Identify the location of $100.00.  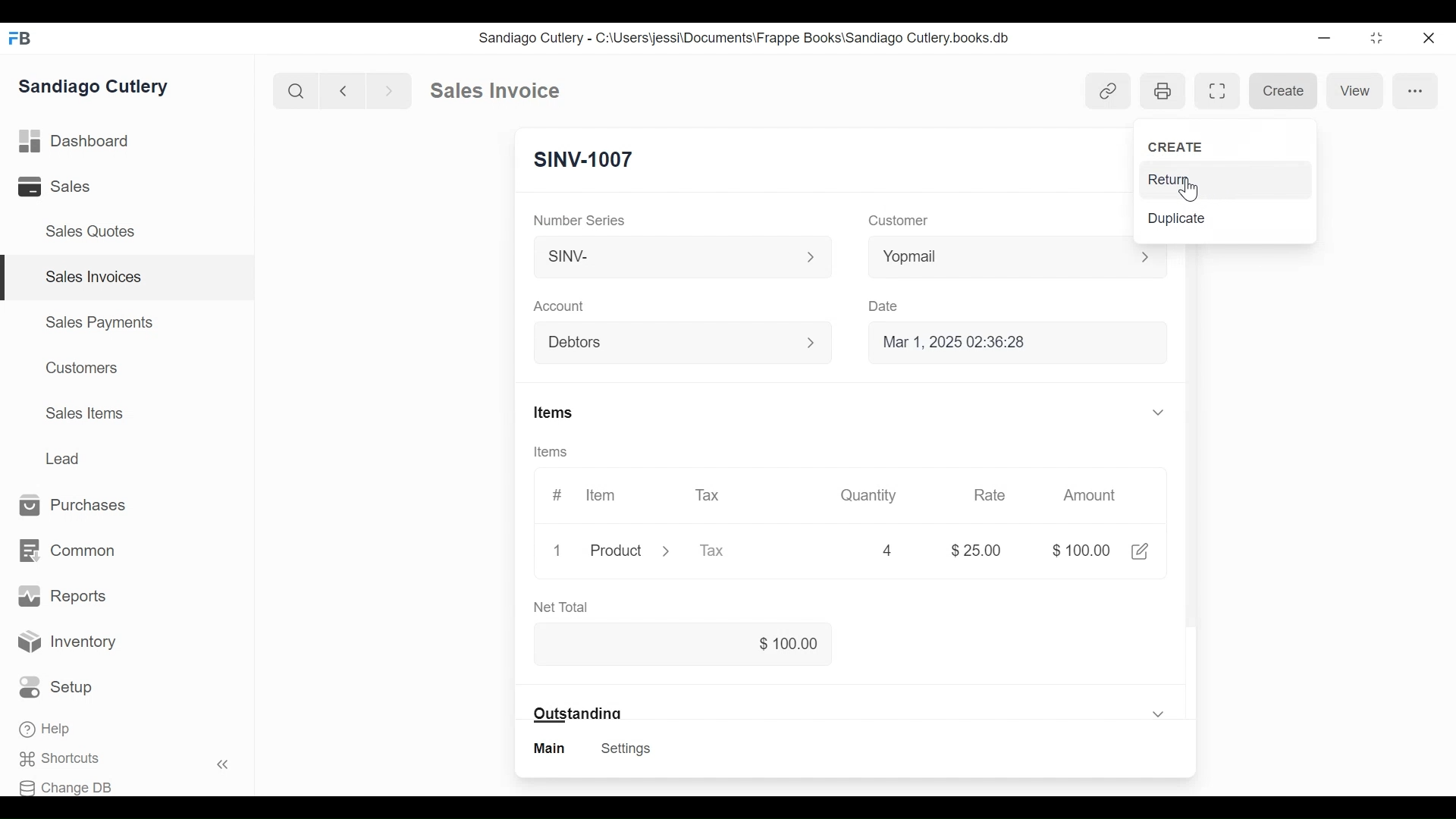
(683, 642).